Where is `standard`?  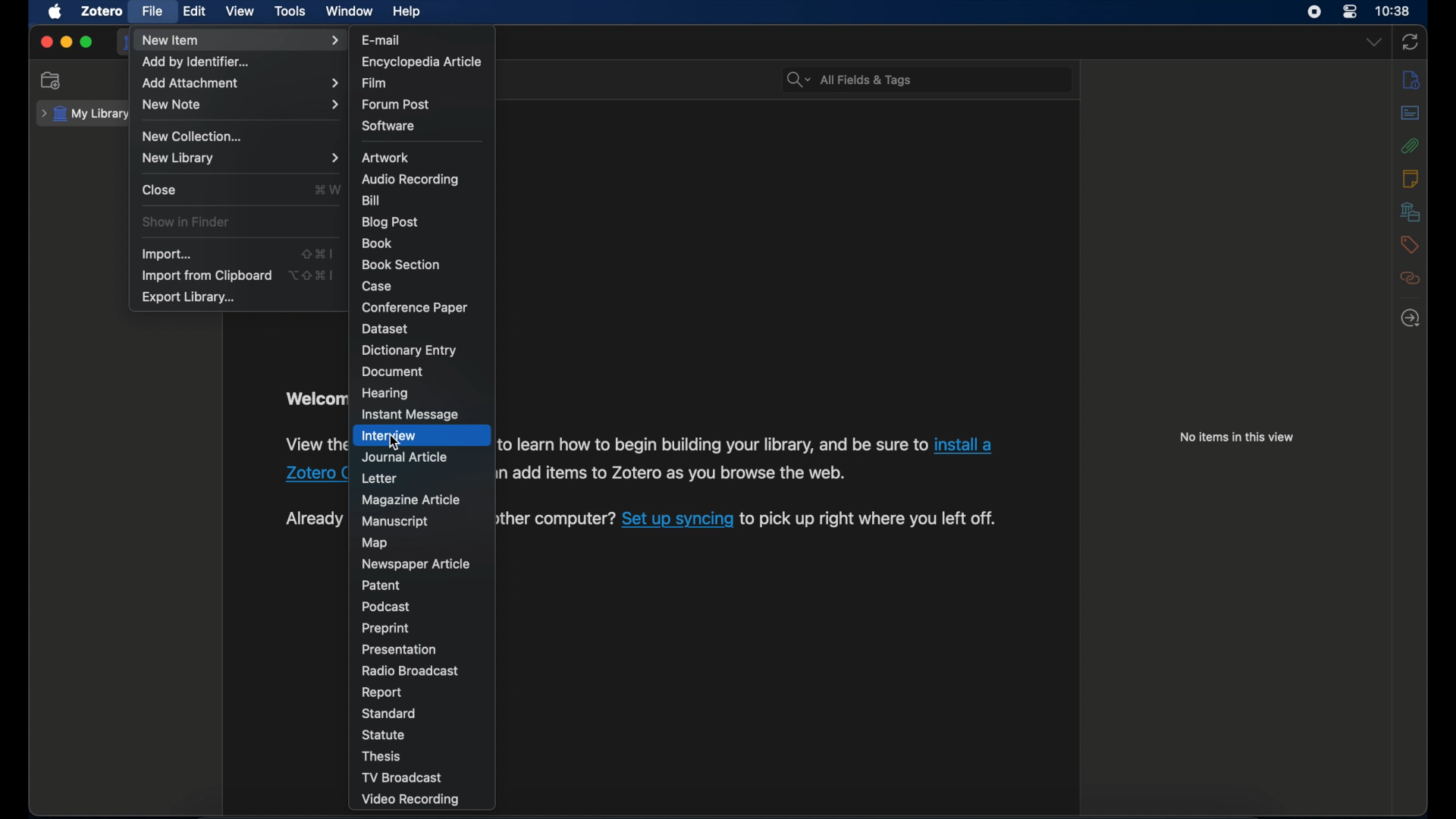 standard is located at coordinates (390, 714).